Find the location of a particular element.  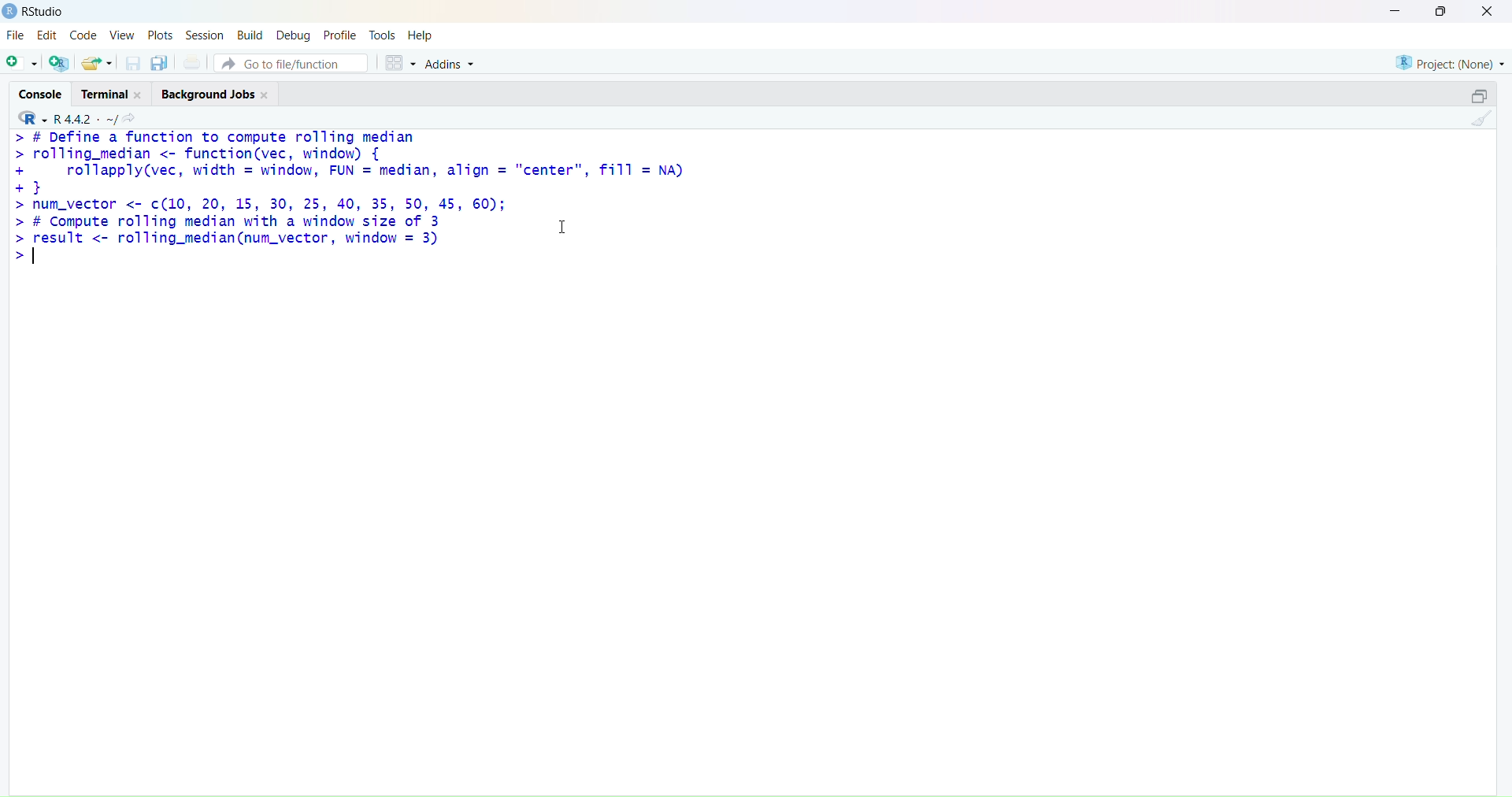

file is located at coordinates (14, 34).